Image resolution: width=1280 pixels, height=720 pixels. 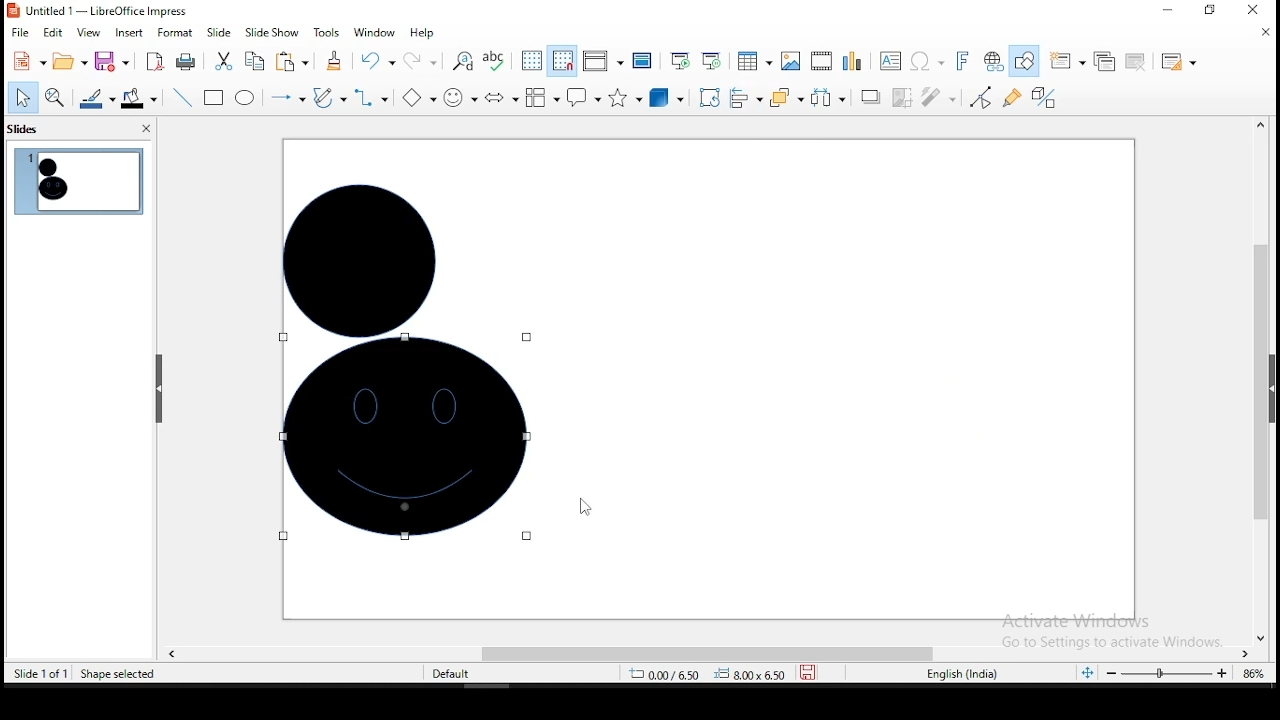 What do you see at coordinates (928, 61) in the screenshot?
I see `insert special characters` at bounding box center [928, 61].